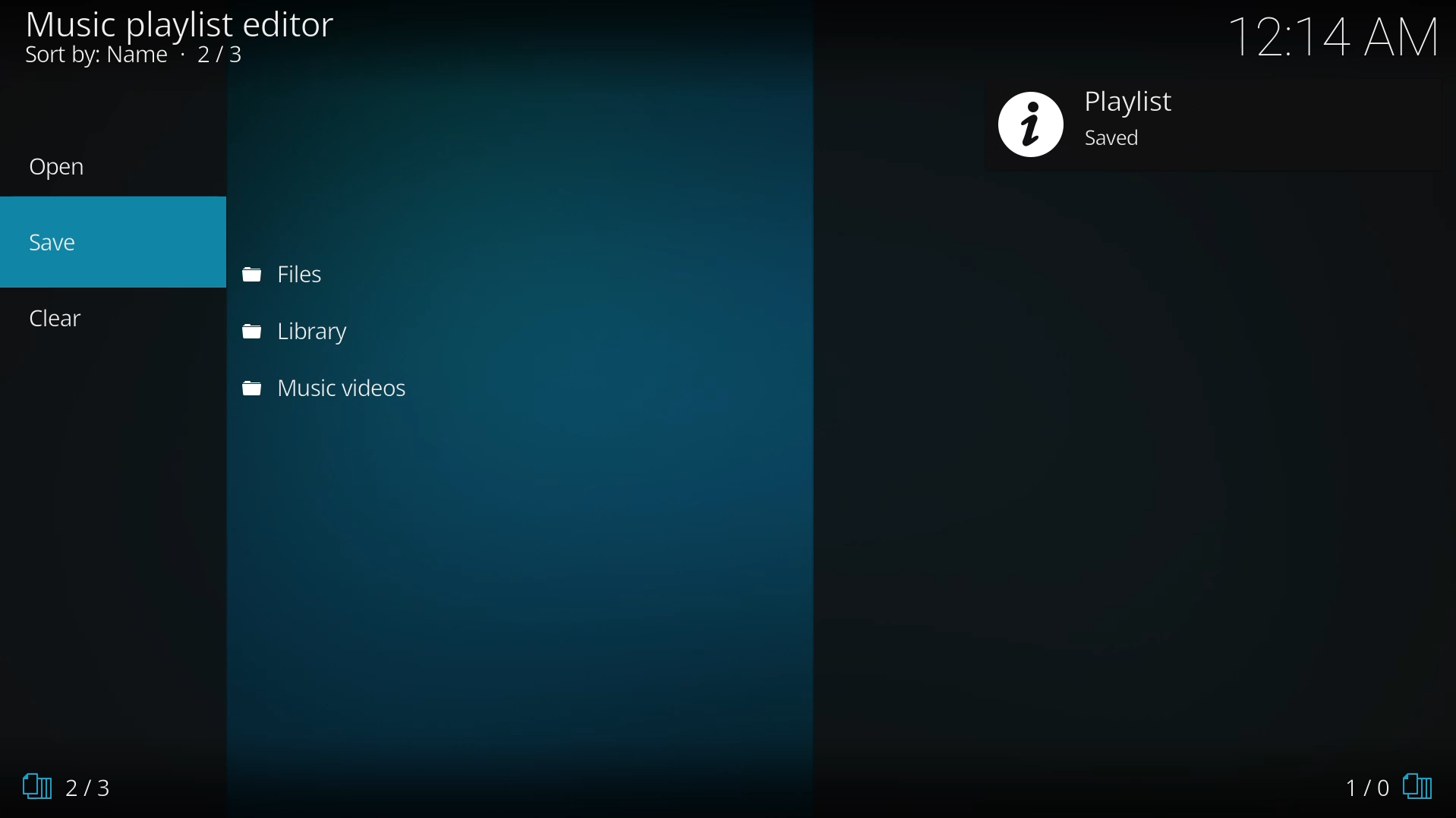 The image size is (1456, 818). What do you see at coordinates (138, 55) in the screenshot?
I see `sort` at bounding box center [138, 55].